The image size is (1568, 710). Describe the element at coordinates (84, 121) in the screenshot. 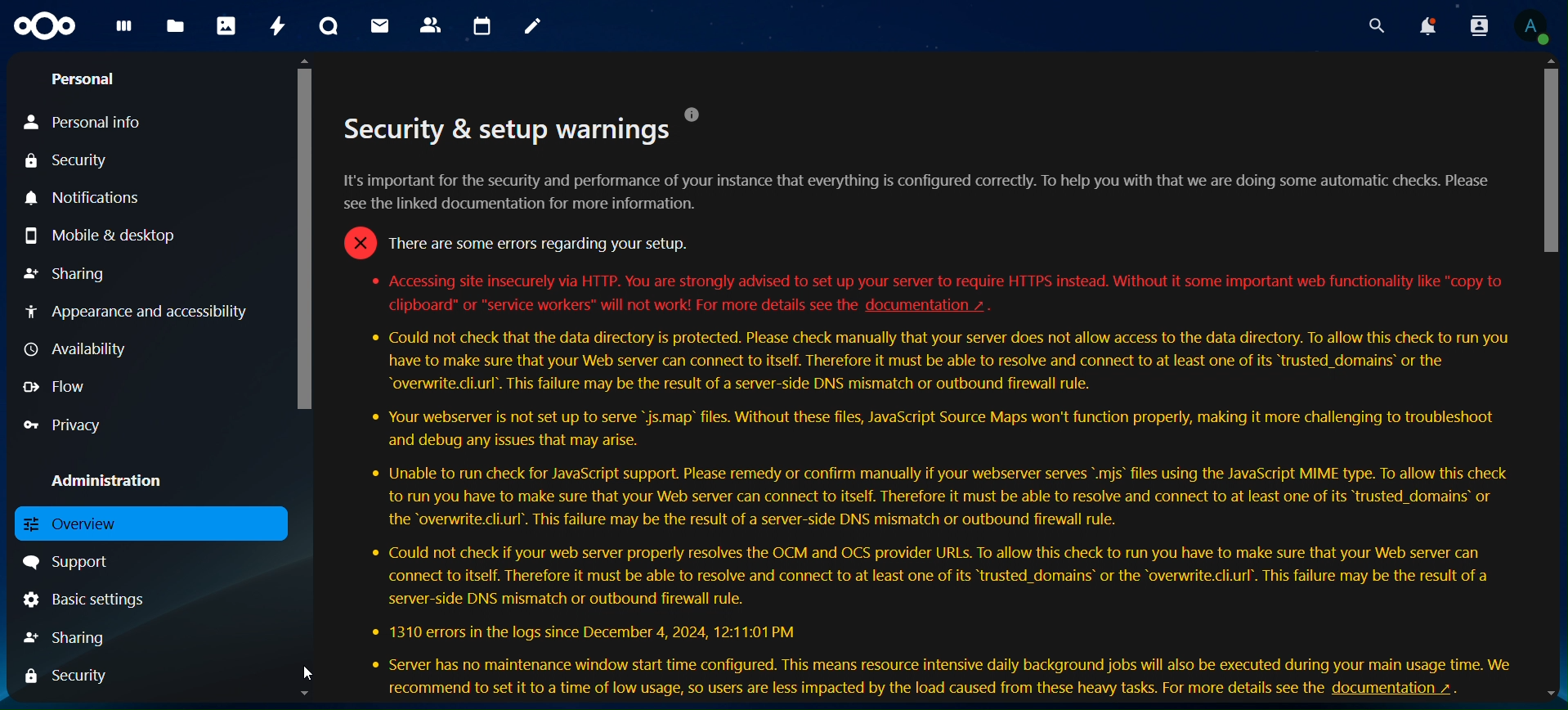

I see `personal info` at that location.